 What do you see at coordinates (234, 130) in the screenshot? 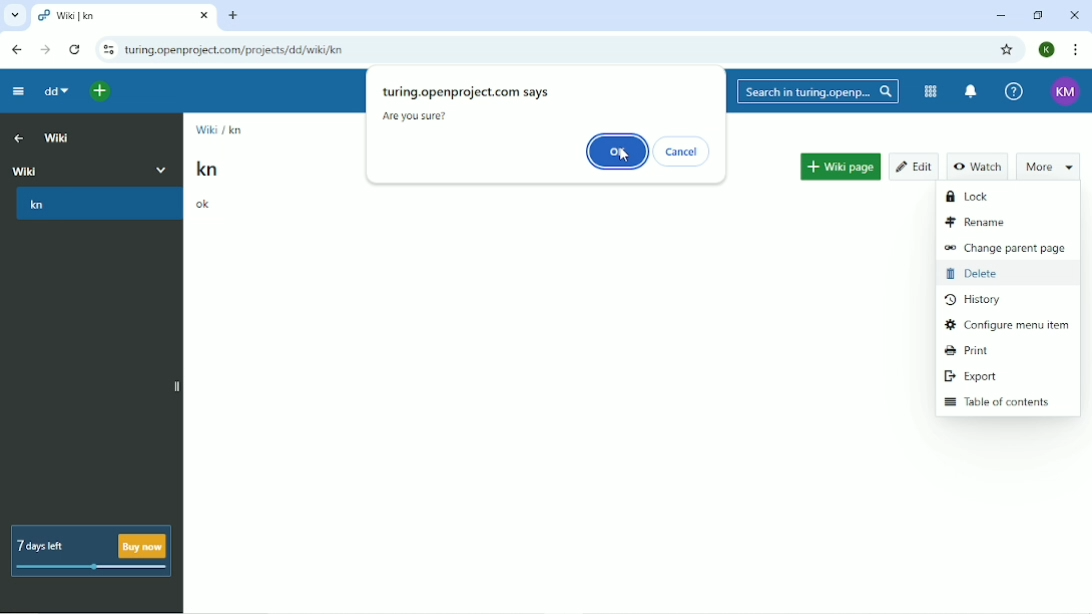
I see `kn` at bounding box center [234, 130].